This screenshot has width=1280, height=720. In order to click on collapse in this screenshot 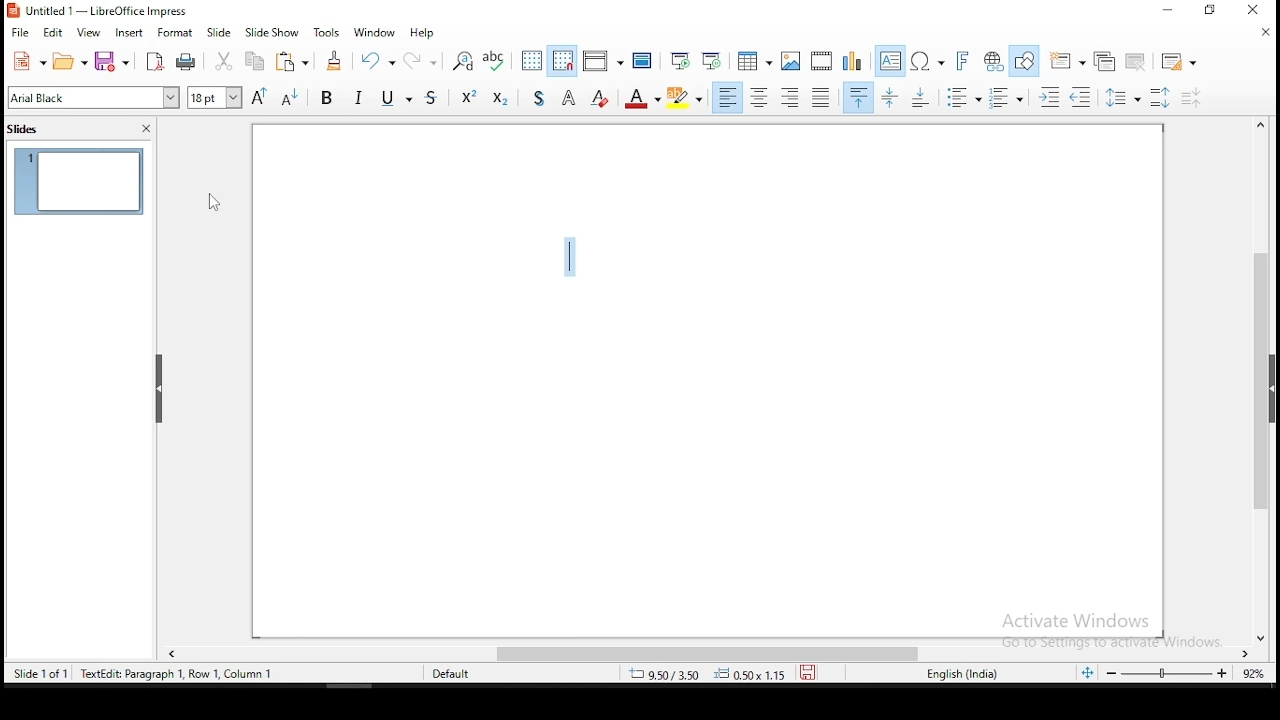, I will do `click(160, 389)`.